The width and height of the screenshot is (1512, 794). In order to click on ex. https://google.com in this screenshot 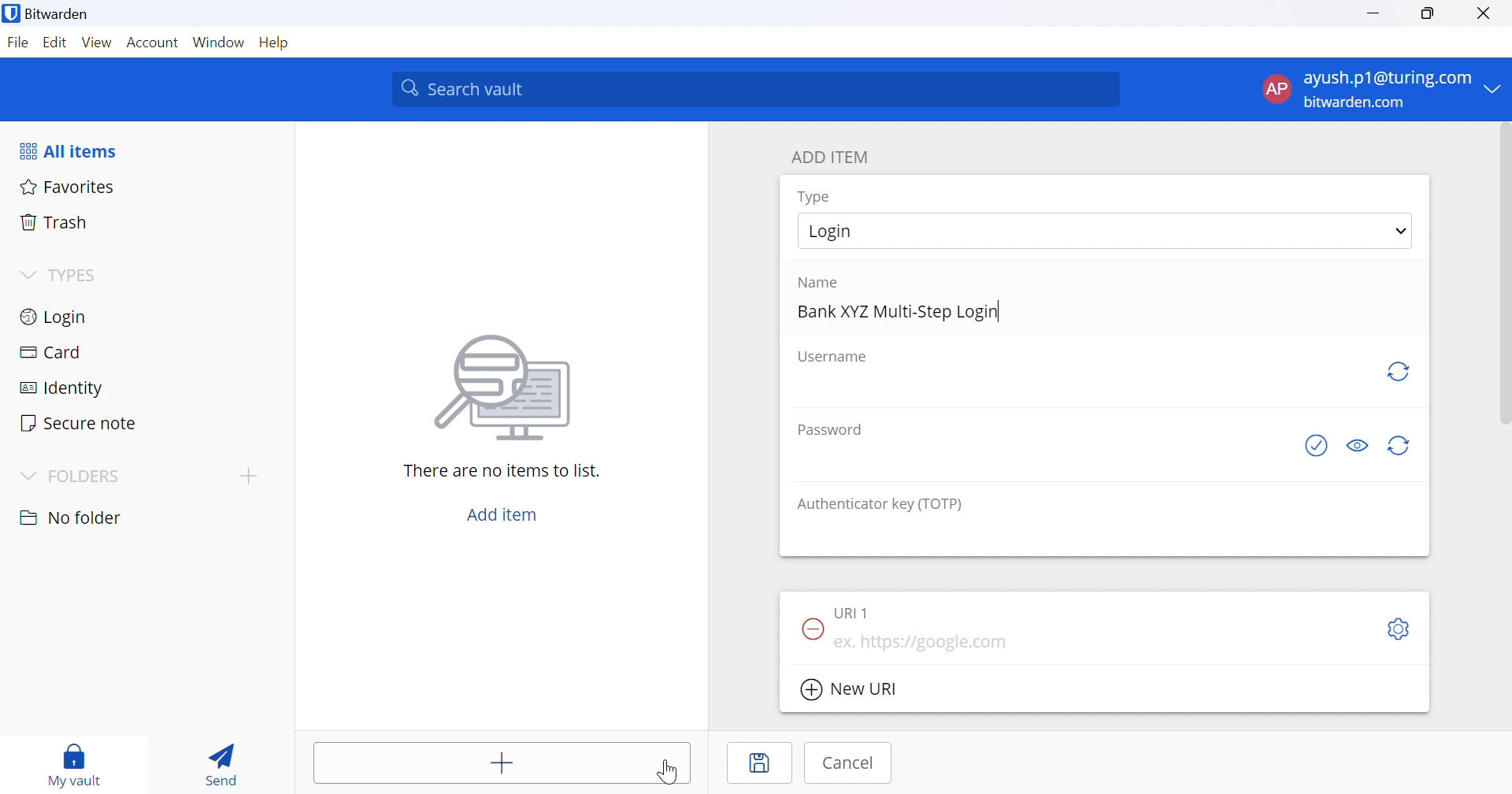, I will do `click(925, 644)`.